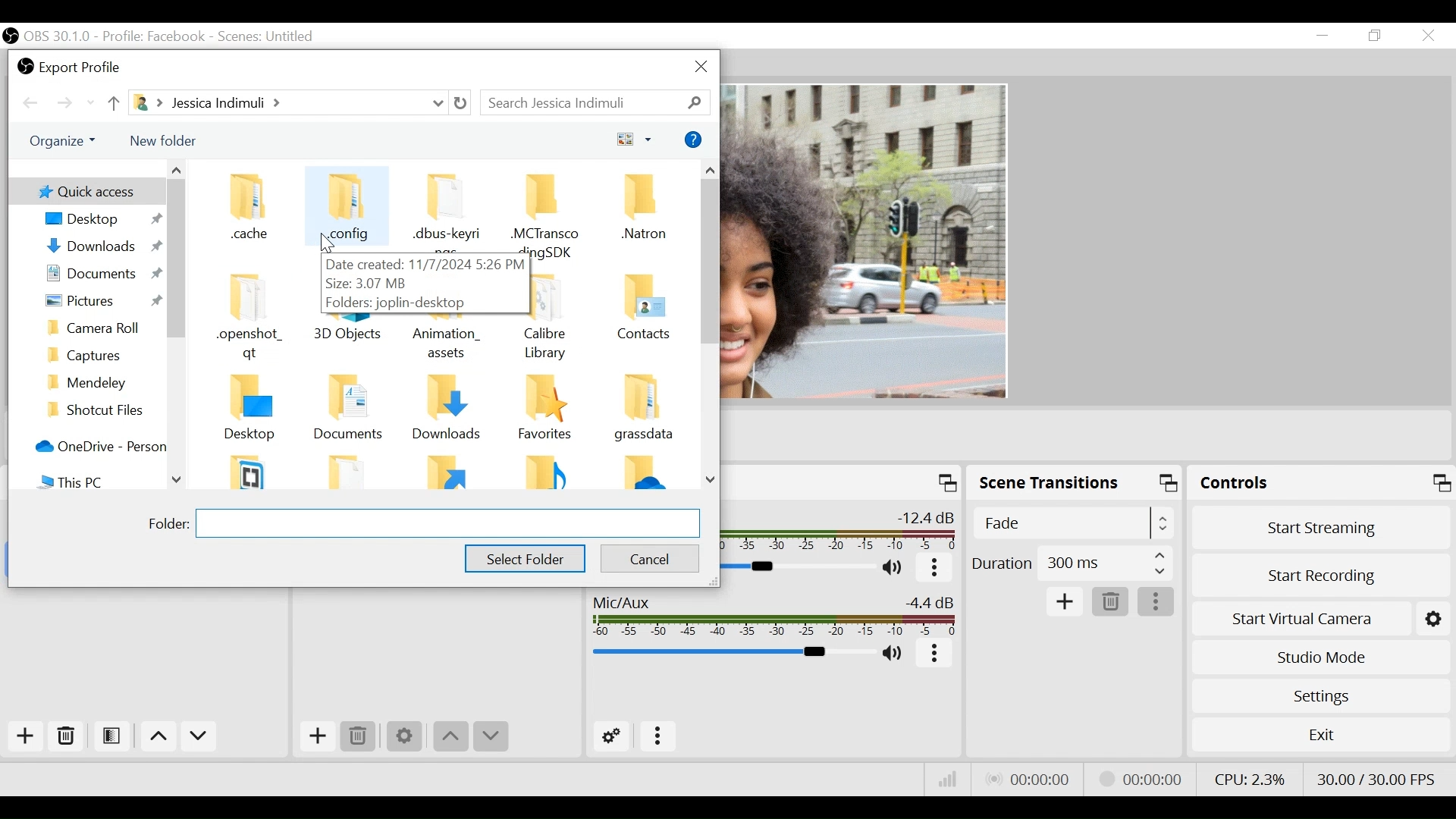 The width and height of the screenshot is (1456, 819). Describe the element at coordinates (649, 557) in the screenshot. I see `Cancel` at that location.